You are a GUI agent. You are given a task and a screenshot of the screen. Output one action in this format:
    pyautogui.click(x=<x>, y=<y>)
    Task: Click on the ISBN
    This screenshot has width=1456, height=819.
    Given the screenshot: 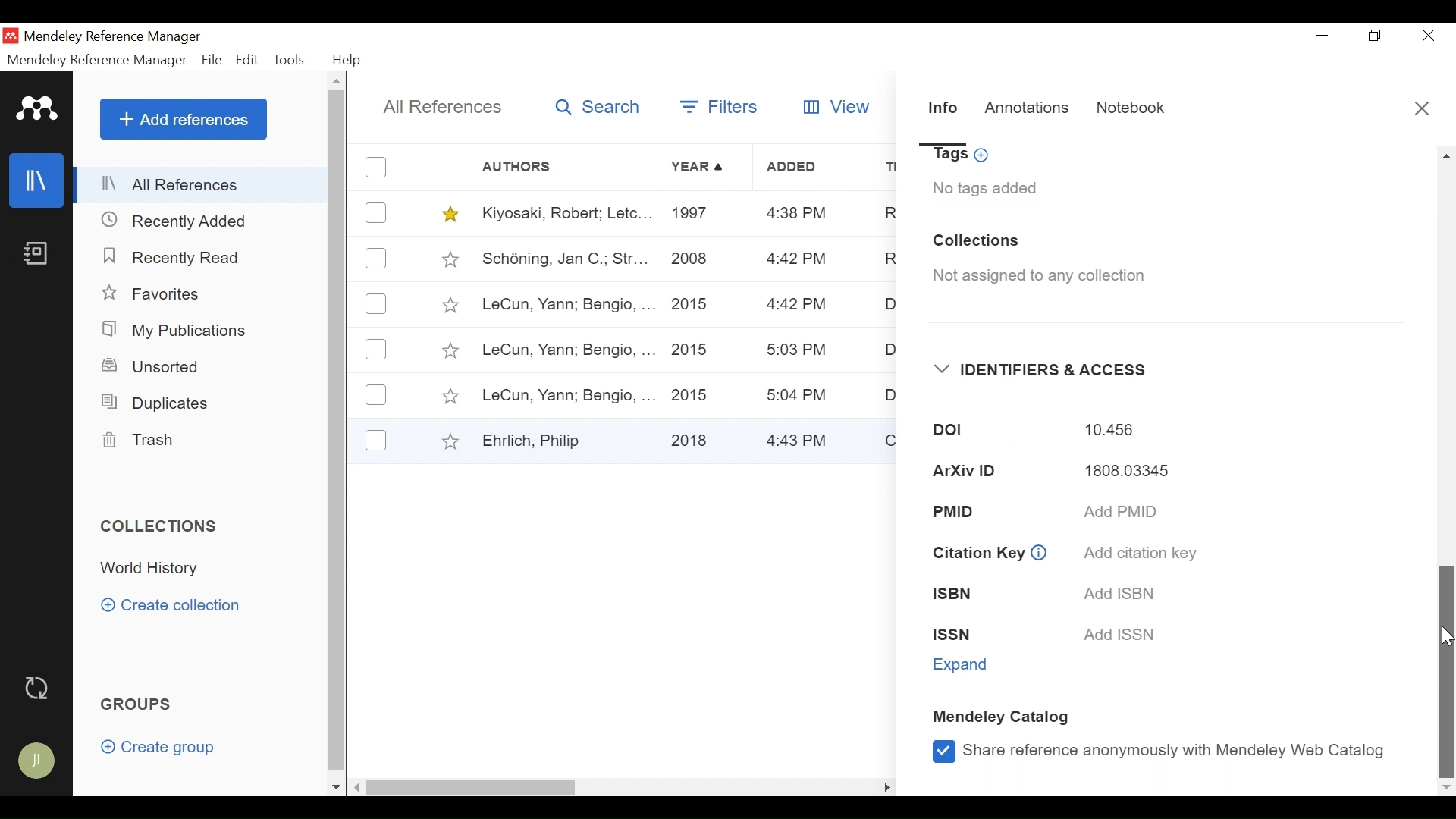 What is the action you would take?
    pyautogui.click(x=962, y=595)
    